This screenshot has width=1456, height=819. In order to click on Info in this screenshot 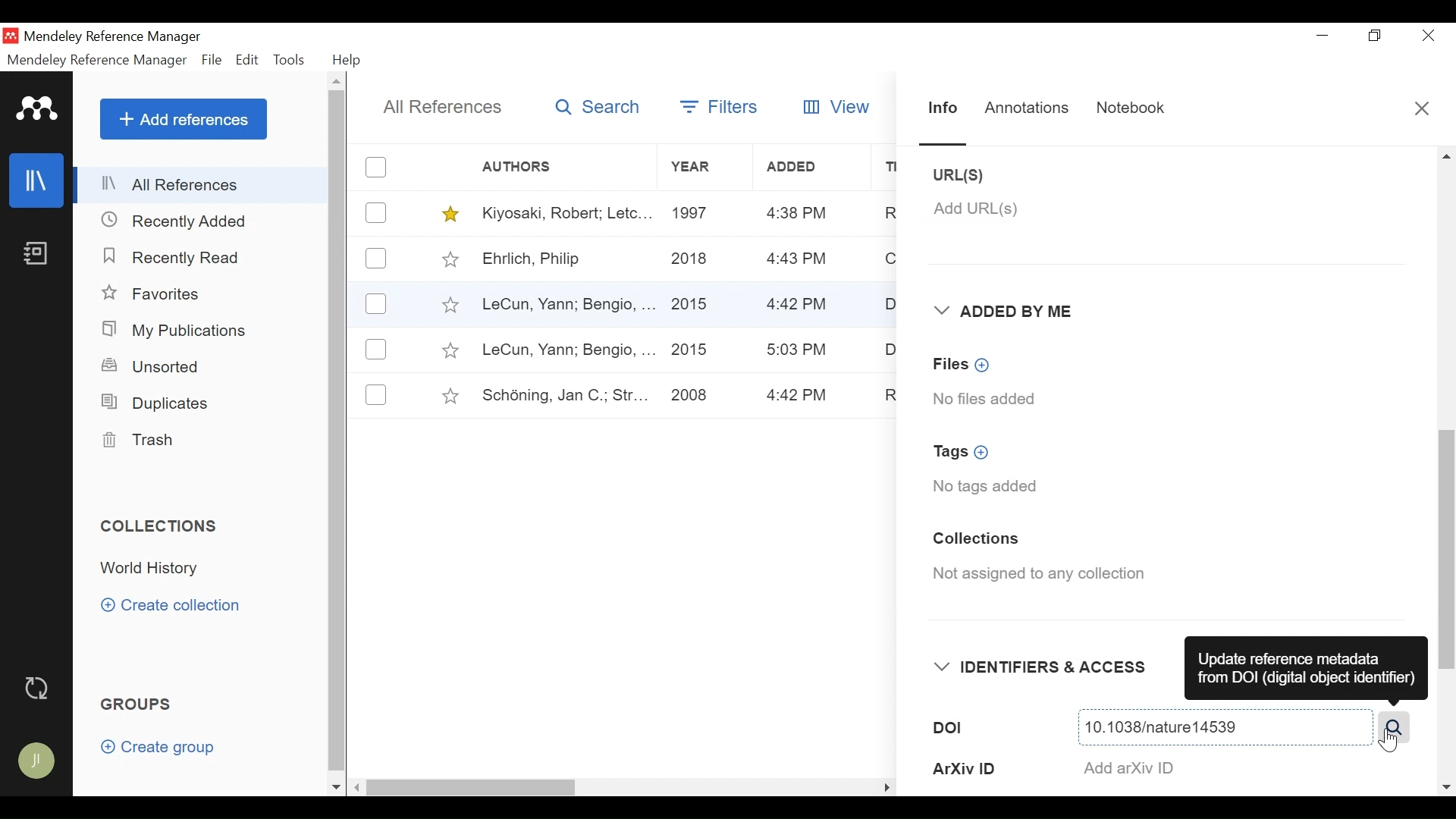, I will do `click(943, 110)`.